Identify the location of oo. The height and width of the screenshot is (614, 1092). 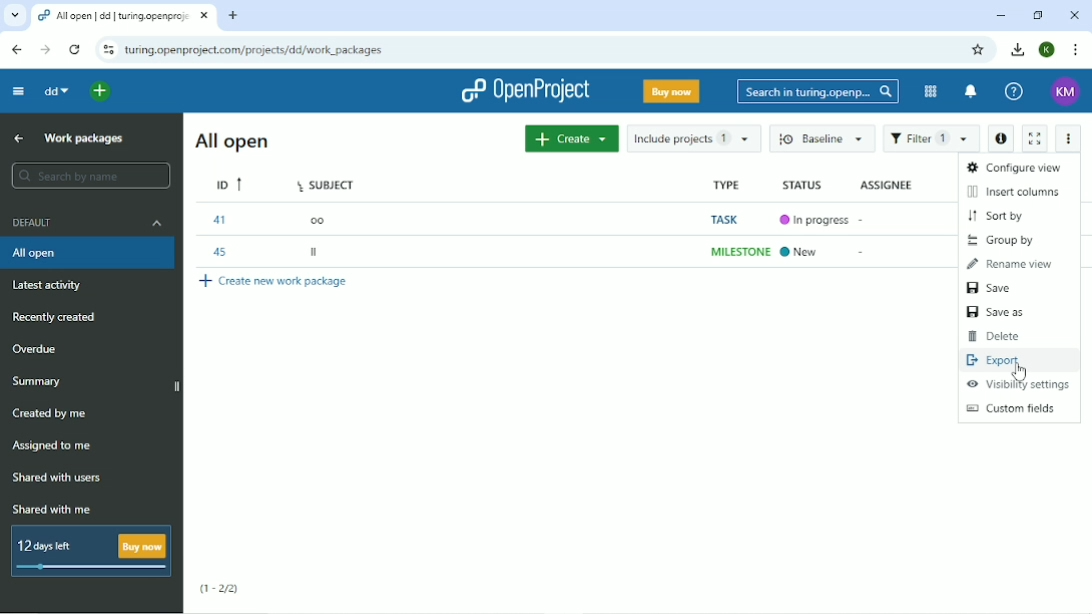
(316, 219).